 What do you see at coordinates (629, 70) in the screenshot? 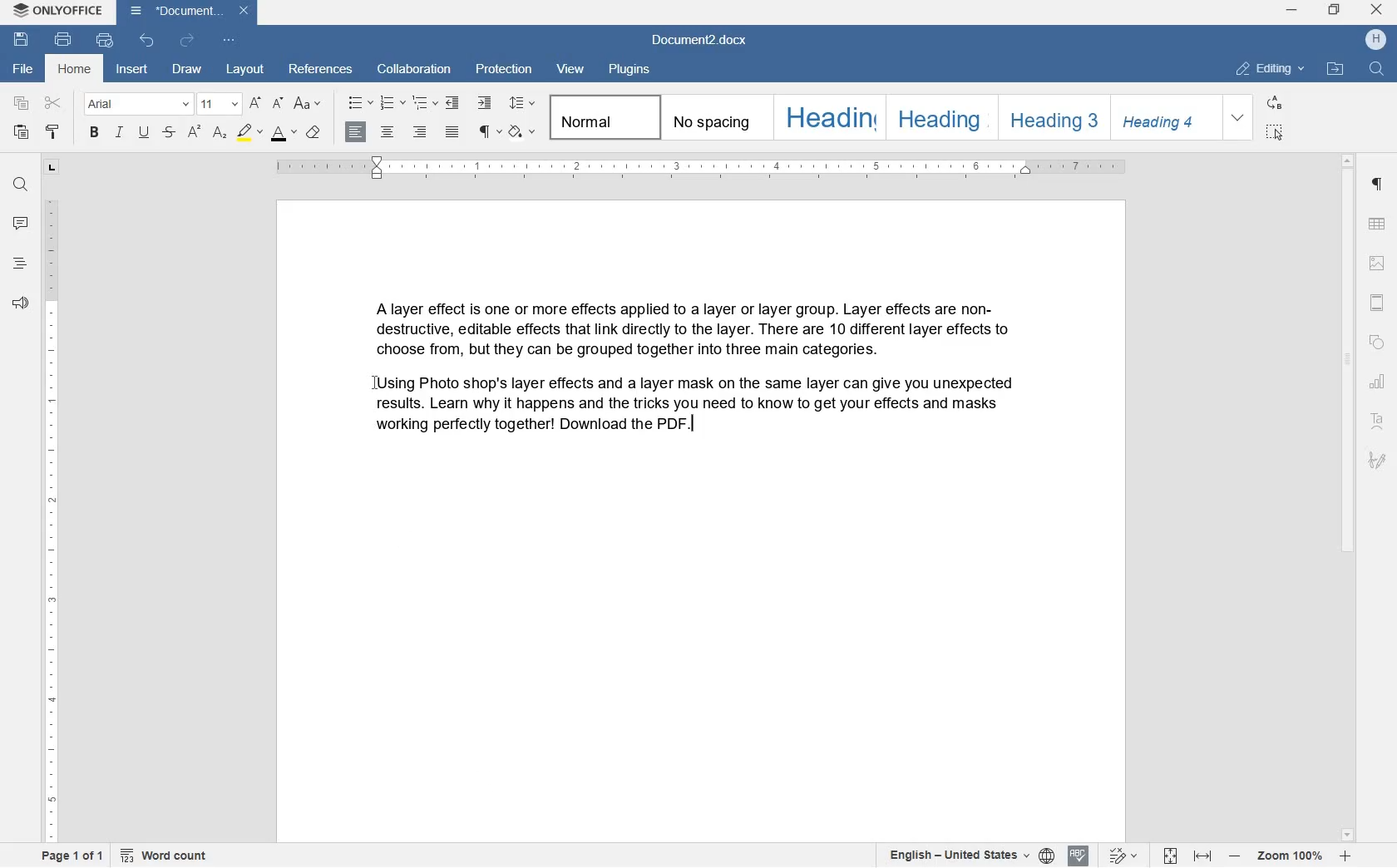
I see `PLUGINS` at bounding box center [629, 70].